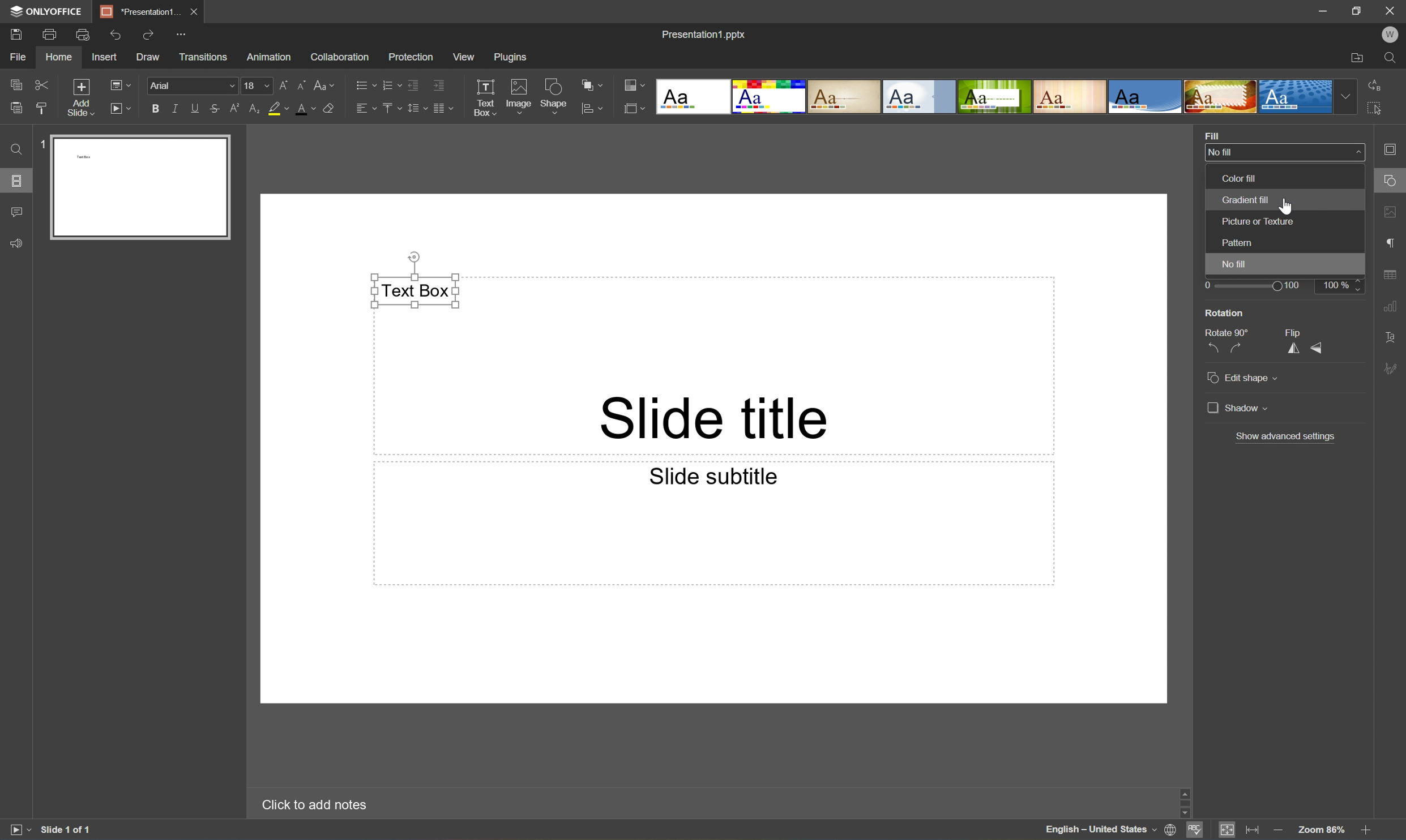  What do you see at coordinates (1369, 831) in the screenshot?
I see `Zoom in` at bounding box center [1369, 831].